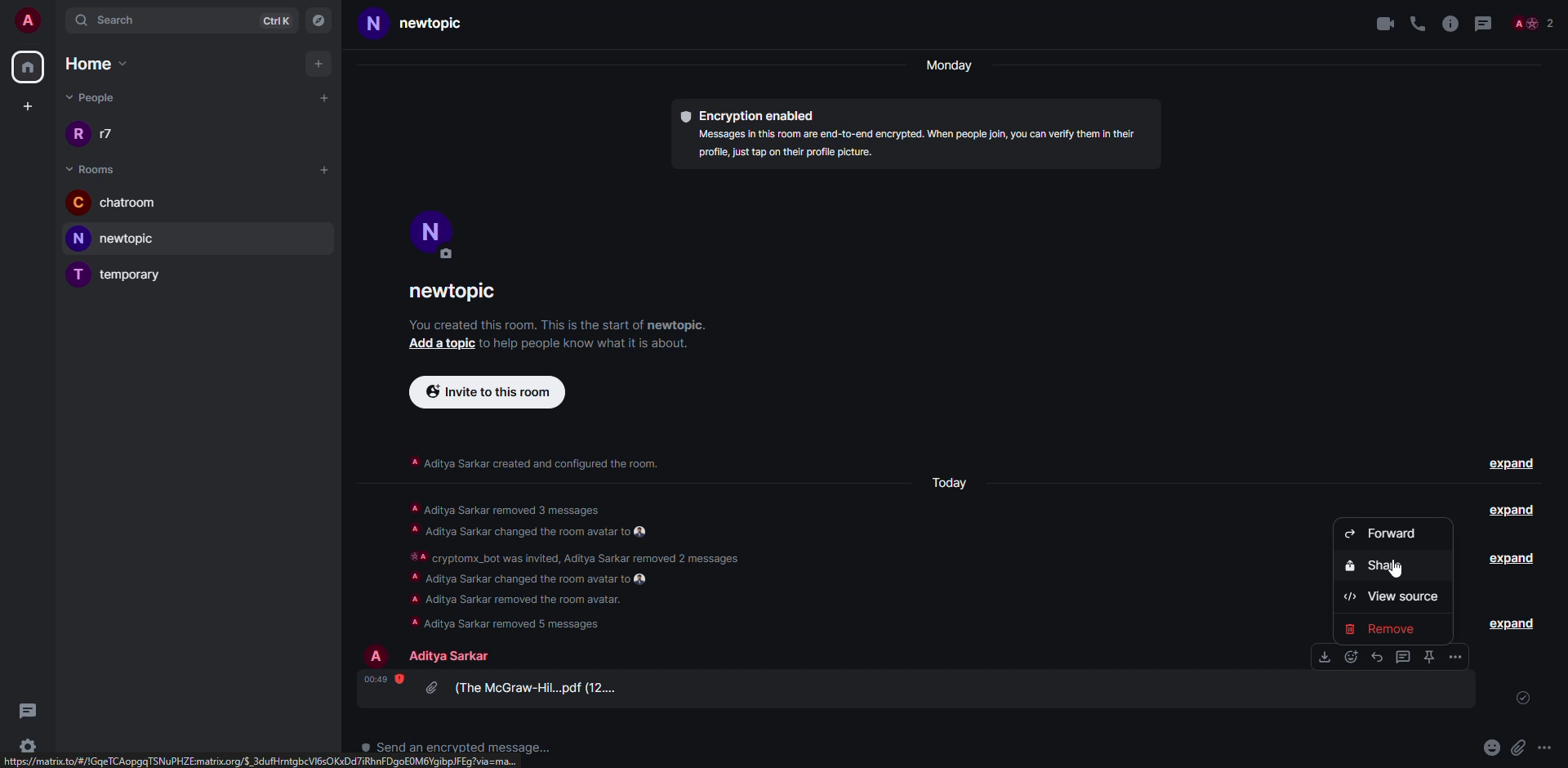 The height and width of the screenshot is (768, 1568). Describe the element at coordinates (1394, 630) in the screenshot. I see `remove` at that location.